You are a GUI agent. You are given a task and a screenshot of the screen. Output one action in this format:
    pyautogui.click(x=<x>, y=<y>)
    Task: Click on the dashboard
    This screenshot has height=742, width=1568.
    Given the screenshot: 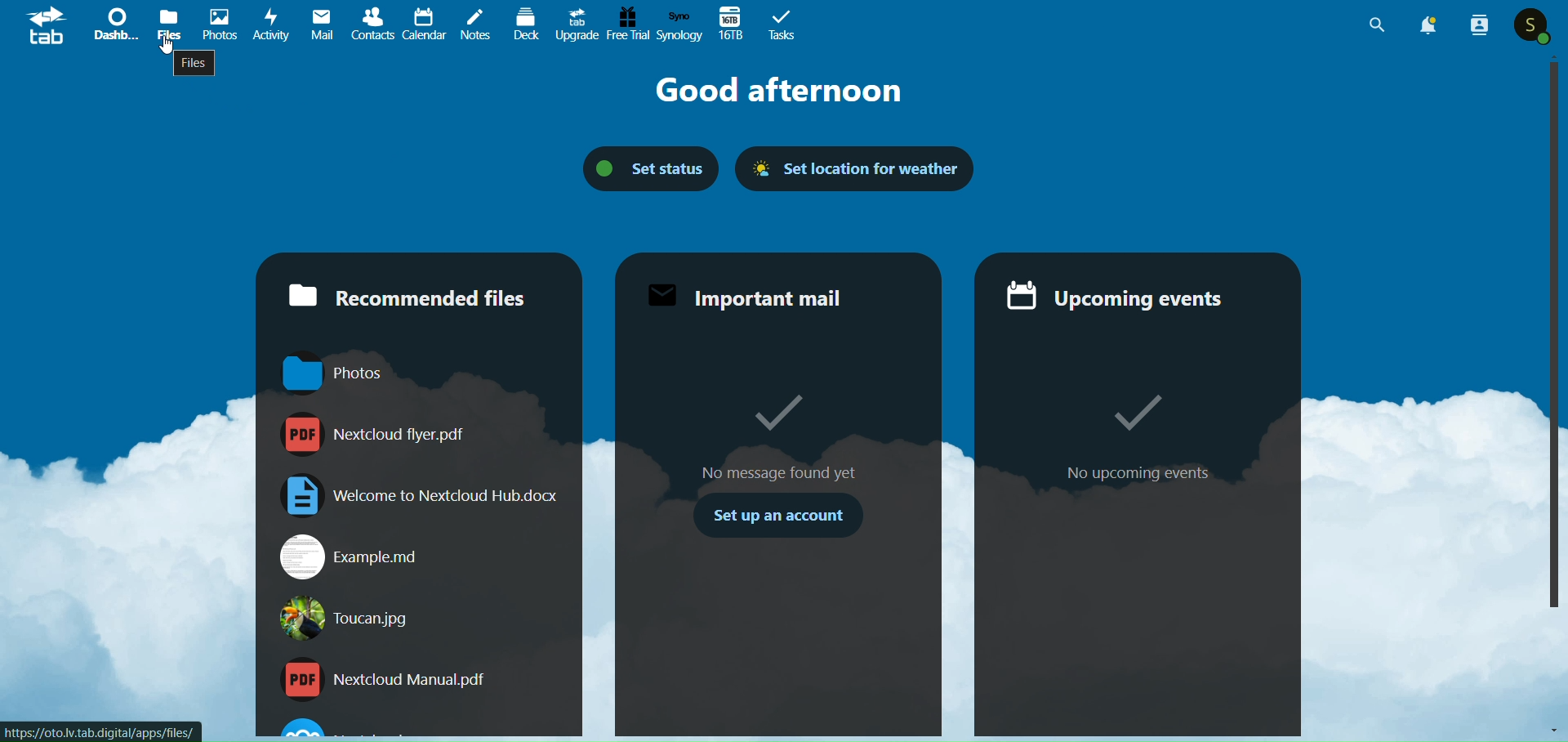 What is the action you would take?
    pyautogui.click(x=117, y=26)
    